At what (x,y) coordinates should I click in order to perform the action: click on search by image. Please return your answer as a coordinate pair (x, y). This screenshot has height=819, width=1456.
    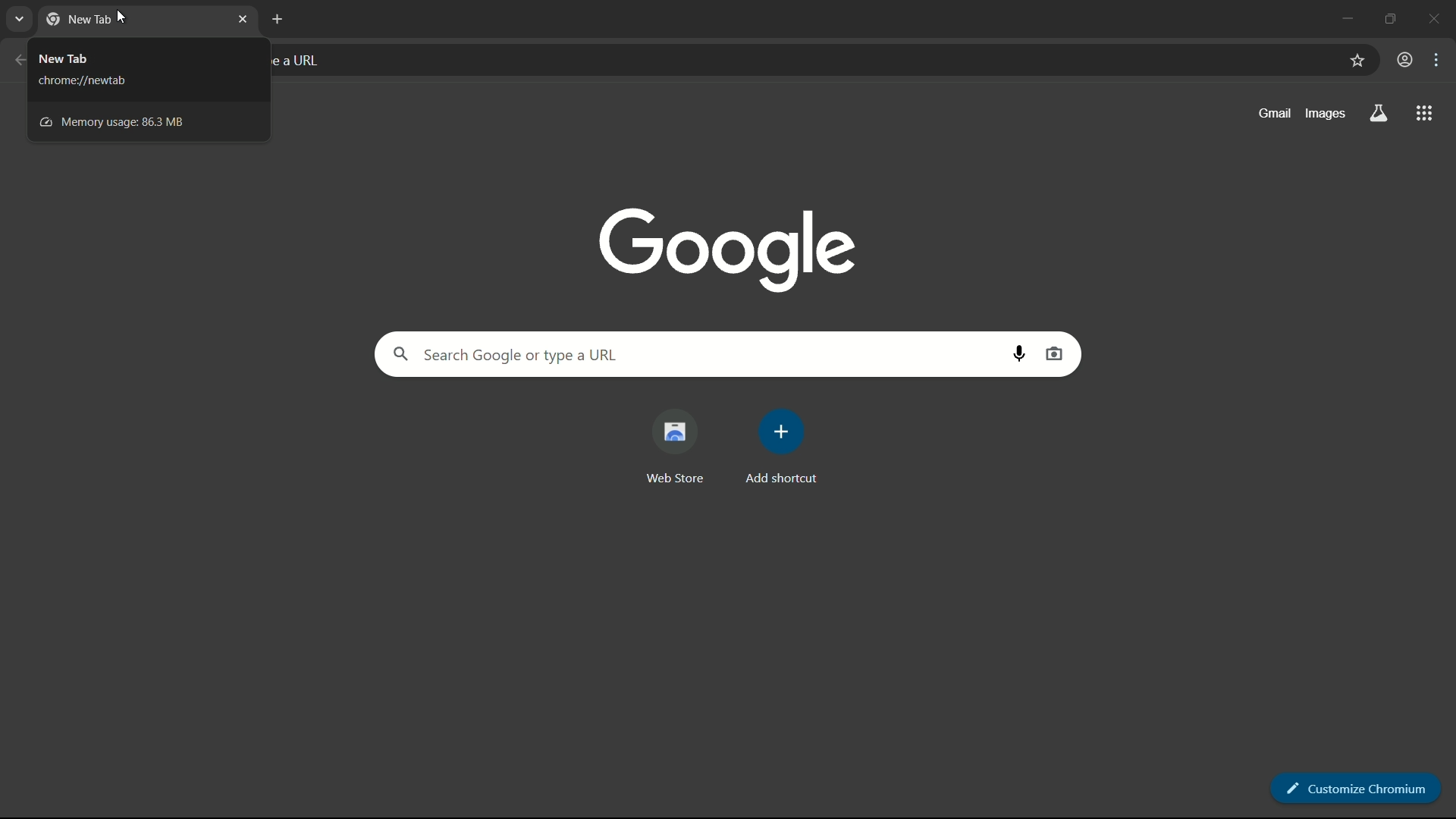
    Looking at the image, I should click on (1054, 354).